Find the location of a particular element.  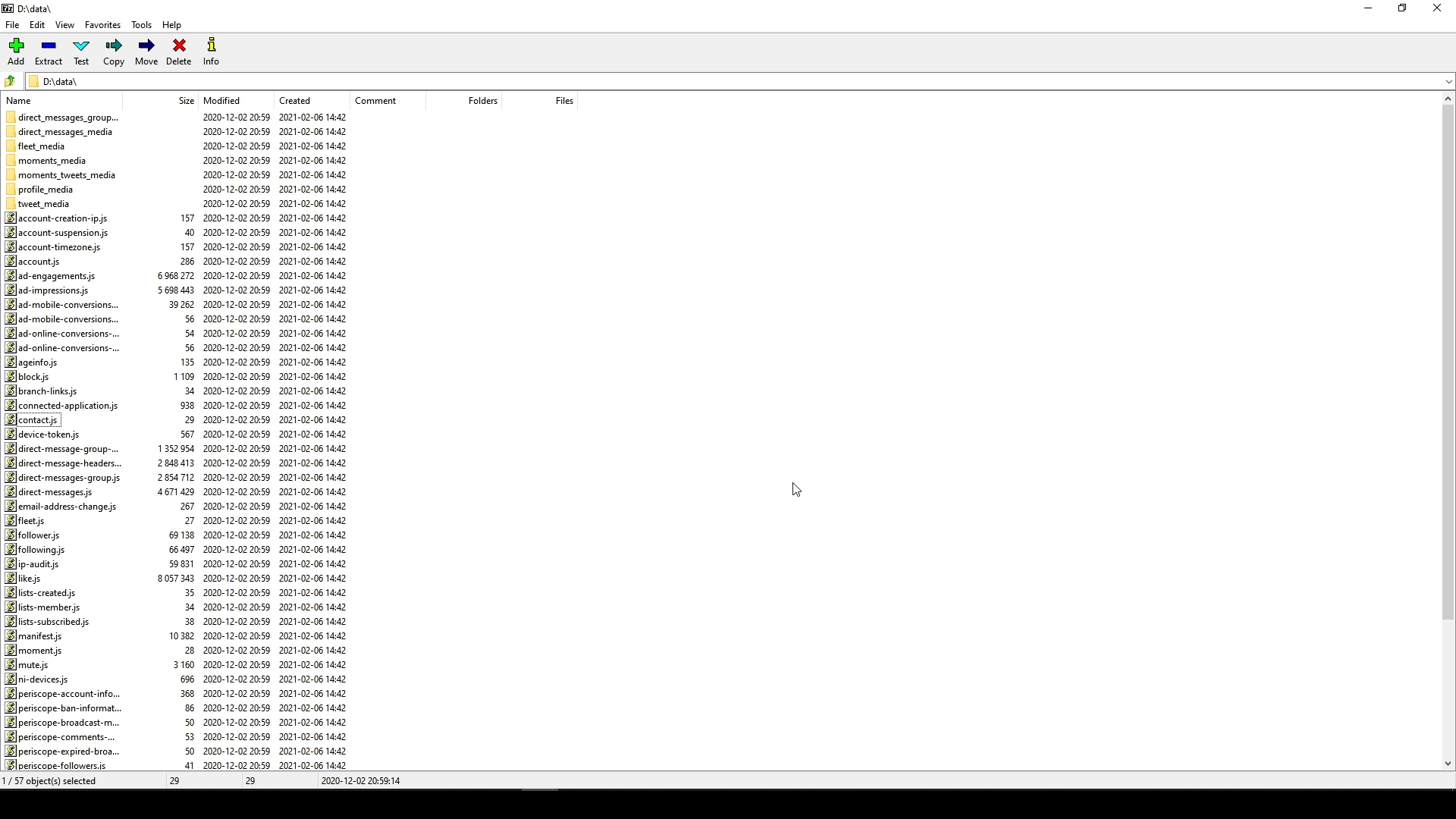

scroll is located at coordinates (1443, 434).